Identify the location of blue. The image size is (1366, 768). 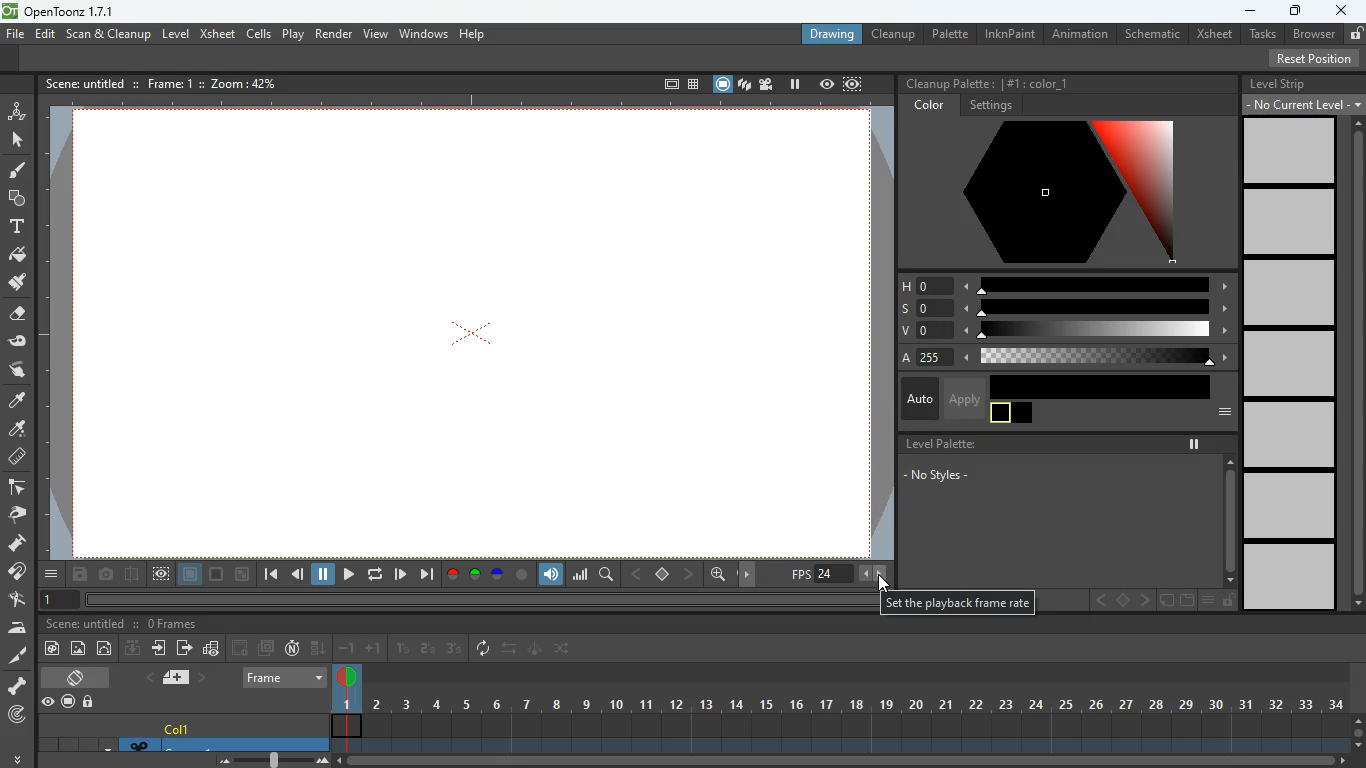
(499, 574).